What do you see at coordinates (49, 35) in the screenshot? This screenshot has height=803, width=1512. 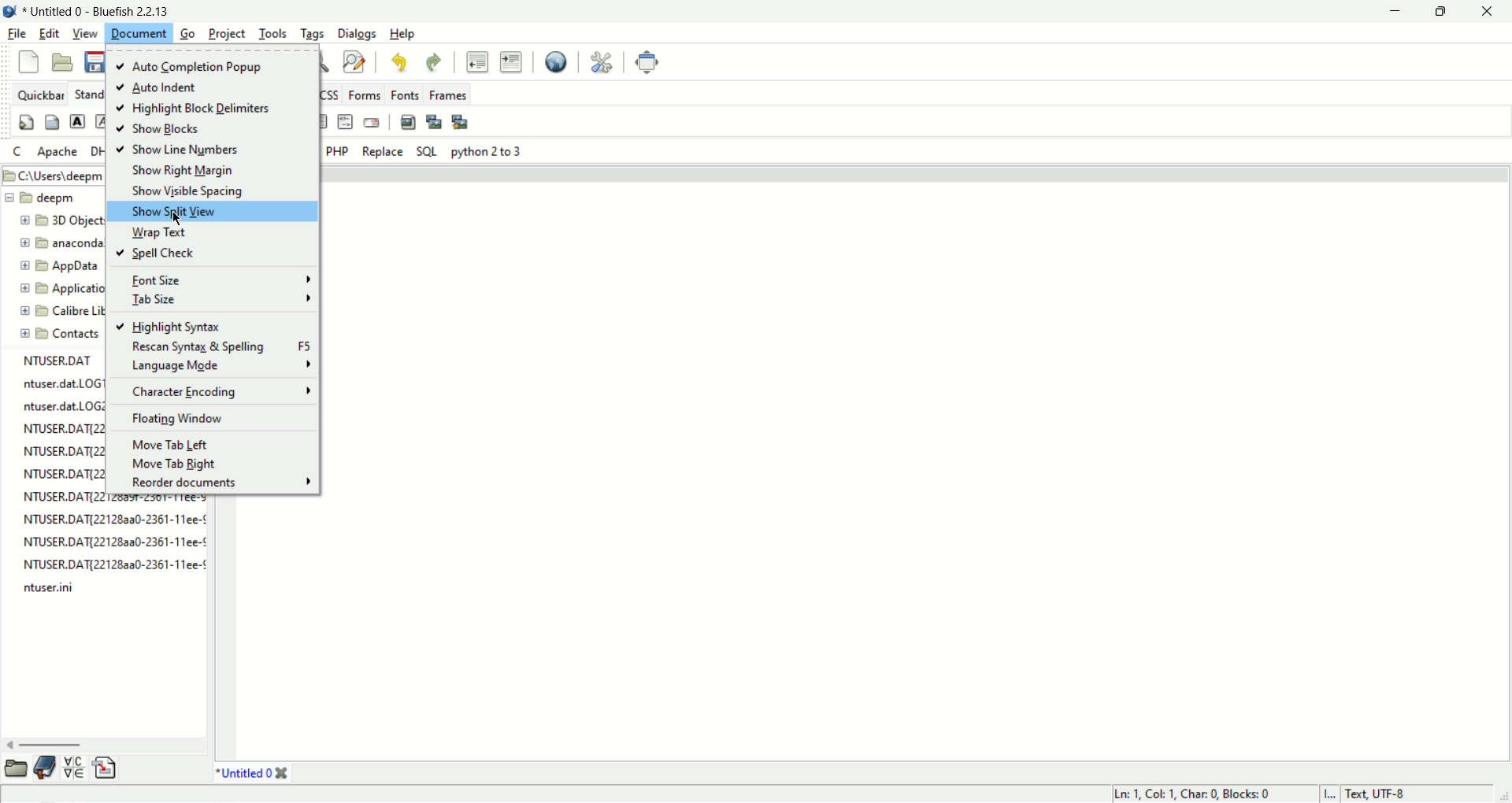 I see `edit` at bounding box center [49, 35].